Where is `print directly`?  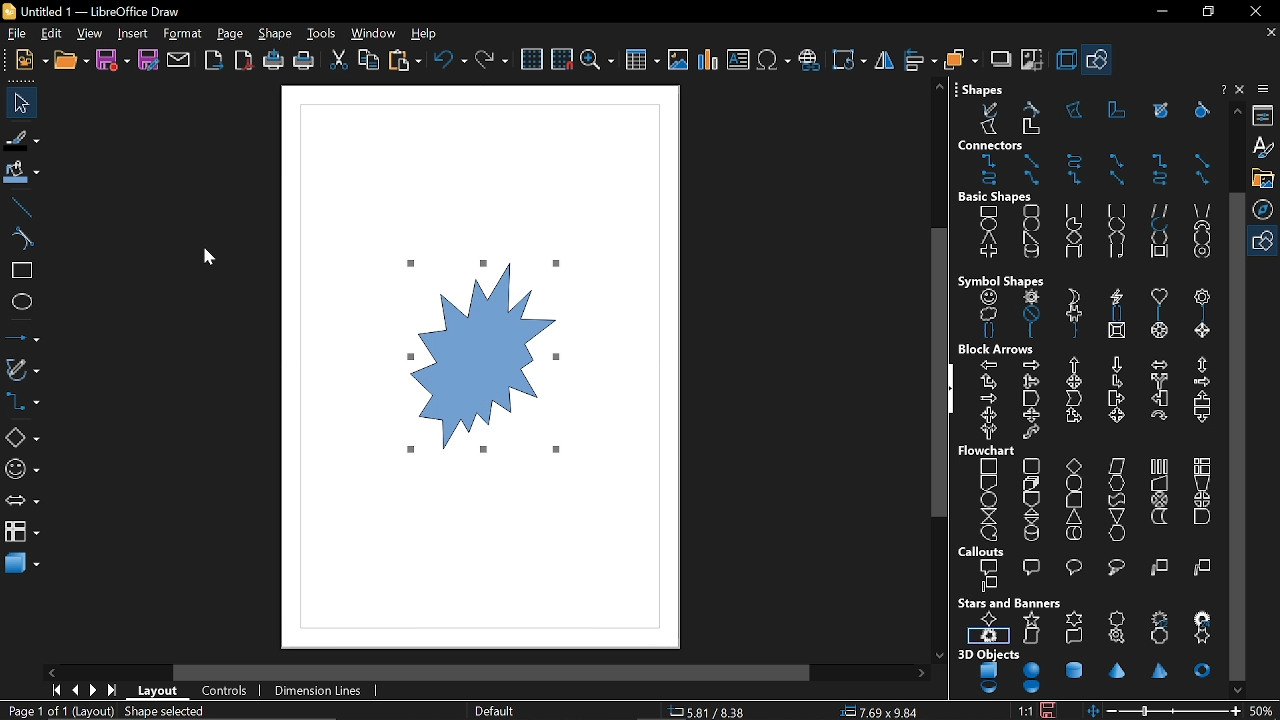
print directly is located at coordinates (274, 60).